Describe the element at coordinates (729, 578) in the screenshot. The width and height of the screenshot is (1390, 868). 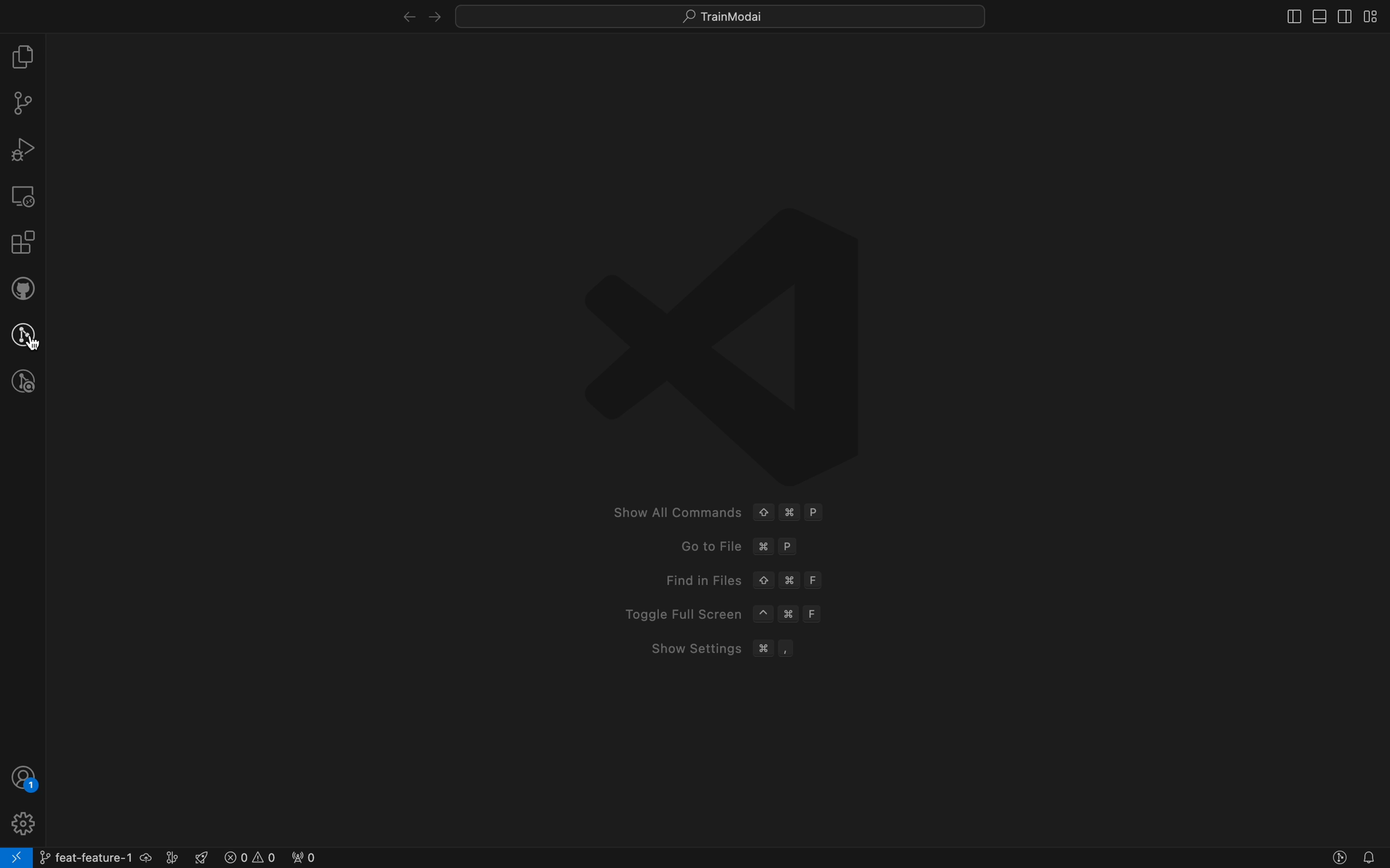
I see `Find in Files © # F` at that location.